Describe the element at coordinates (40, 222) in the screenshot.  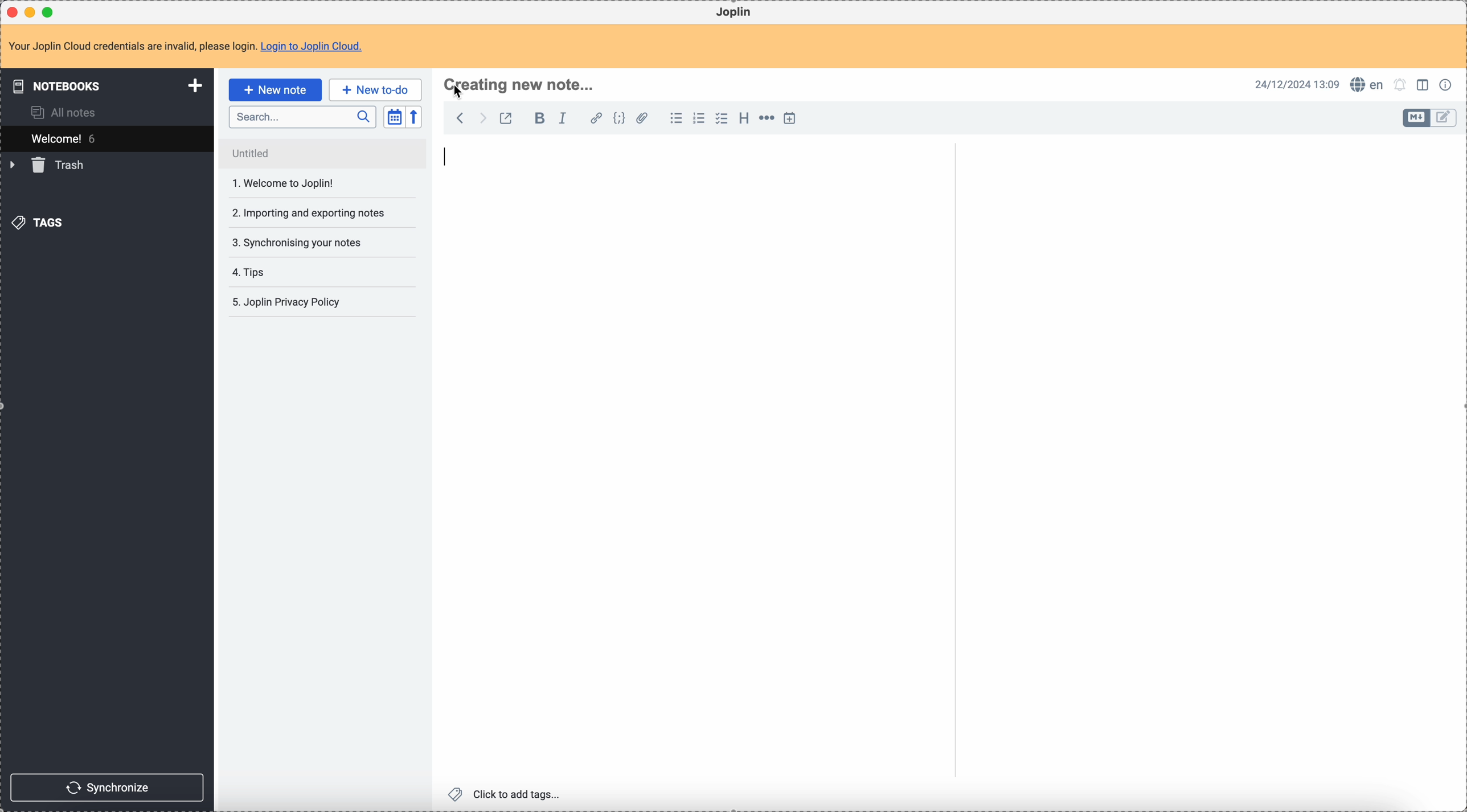
I see `tags` at that location.